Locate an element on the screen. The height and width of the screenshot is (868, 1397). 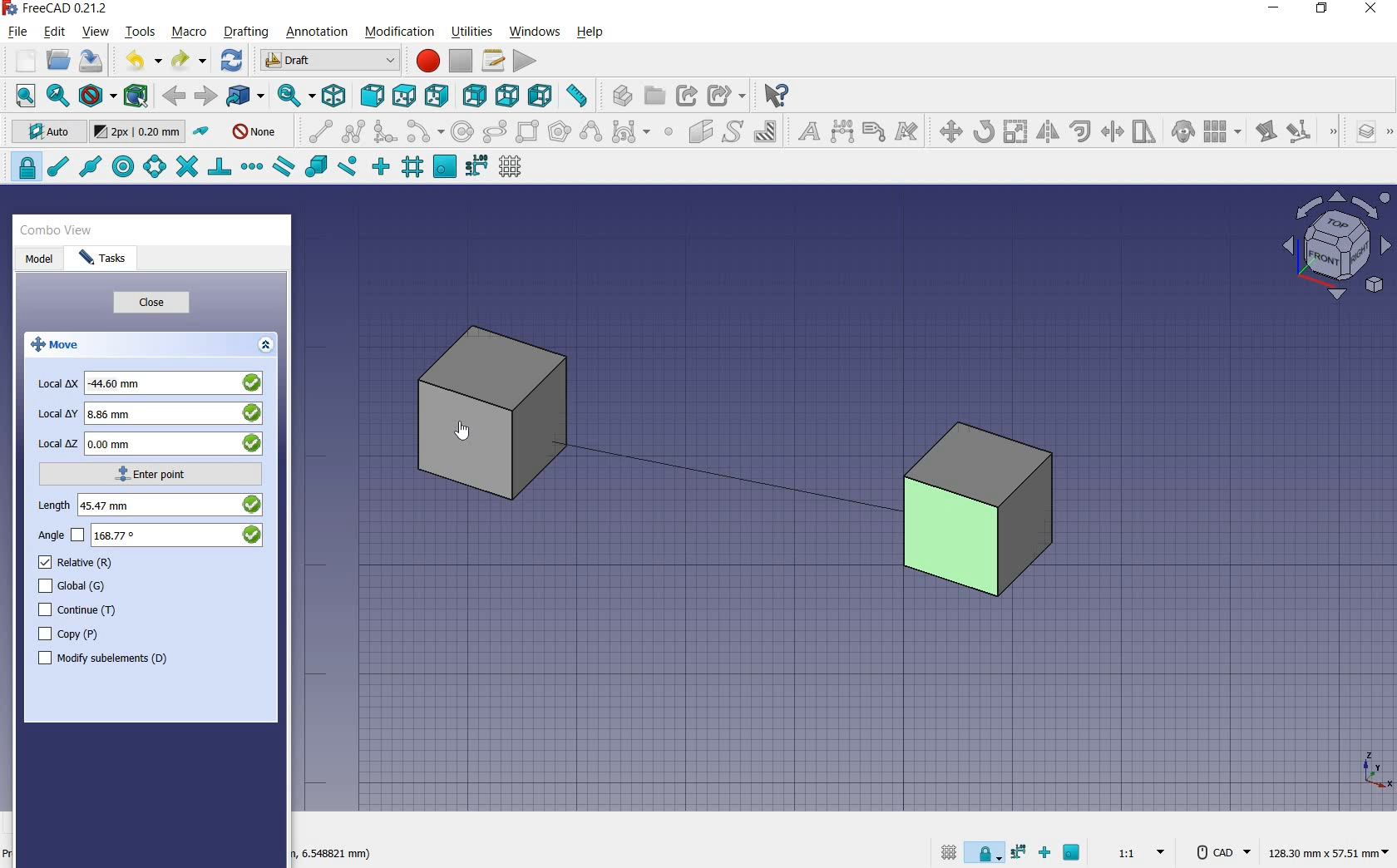
local x is located at coordinates (152, 383).